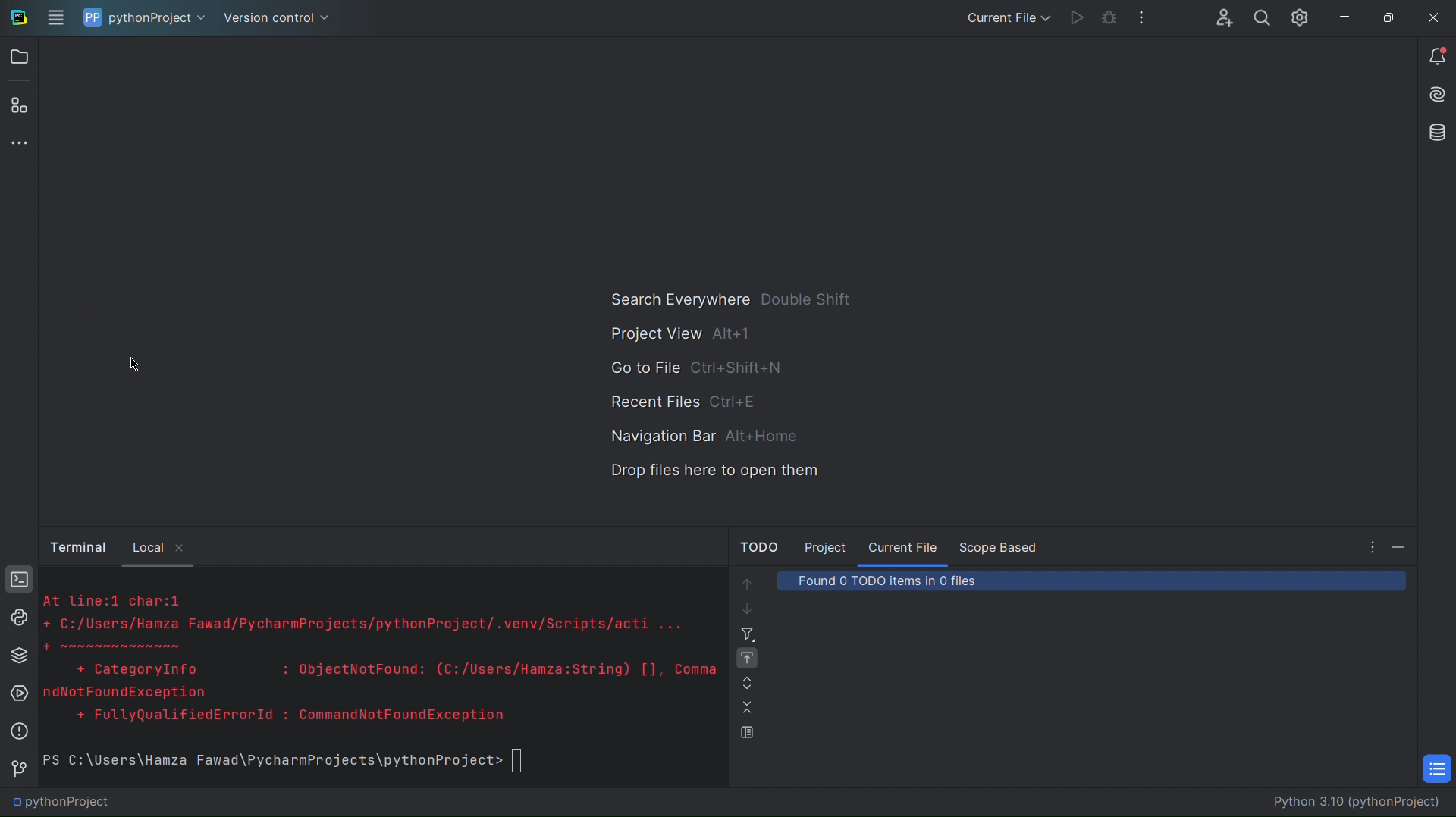  What do you see at coordinates (1076, 14) in the screenshot?
I see `Run` at bounding box center [1076, 14].